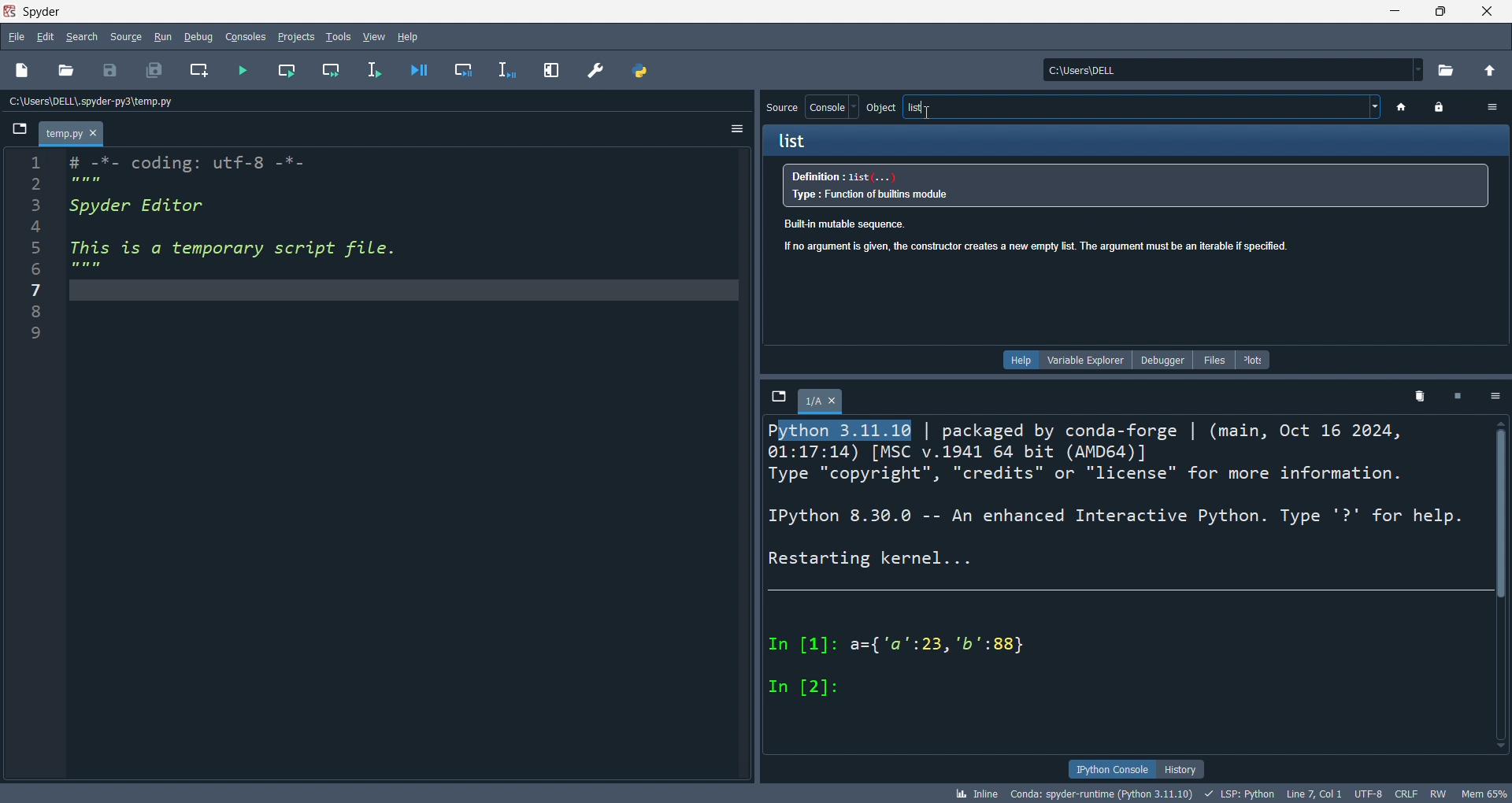 This screenshot has width=1512, height=803. What do you see at coordinates (1242, 794) in the screenshot?
I see `LSP:Python` at bounding box center [1242, 794].